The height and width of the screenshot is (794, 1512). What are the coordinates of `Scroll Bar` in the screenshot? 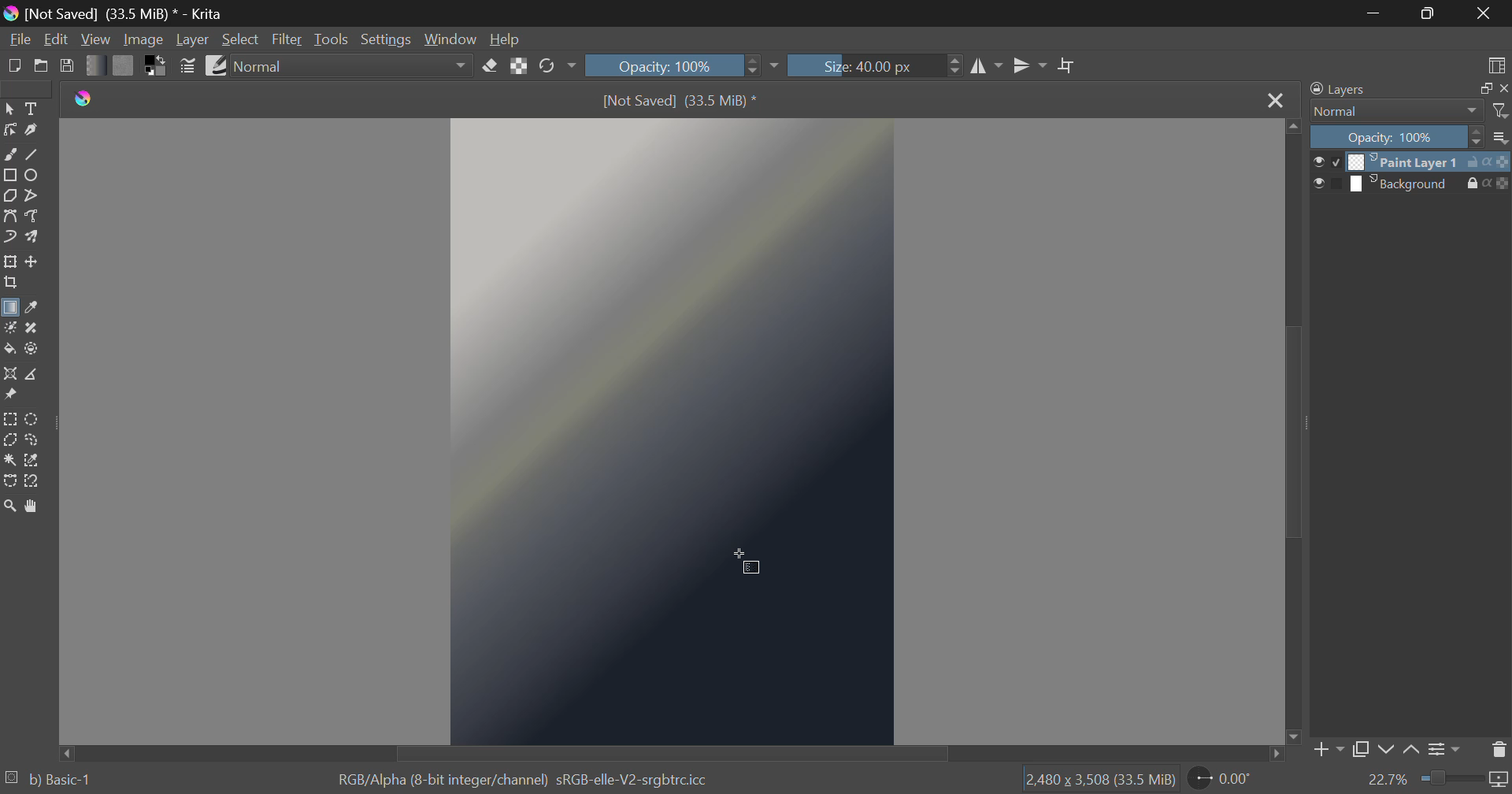 It's located at (674, 752).